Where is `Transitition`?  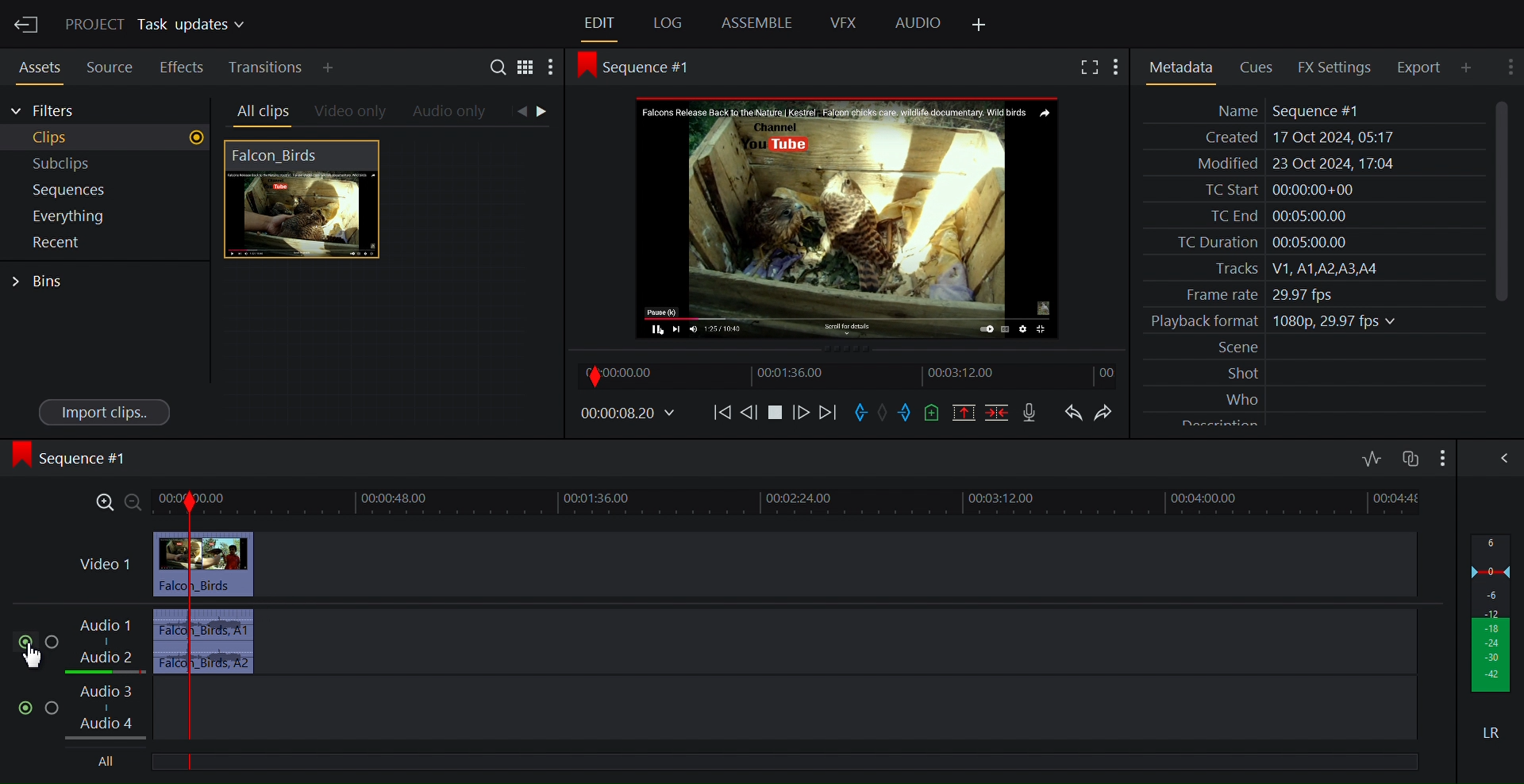
Transitition is located at coordinates (267, 67).